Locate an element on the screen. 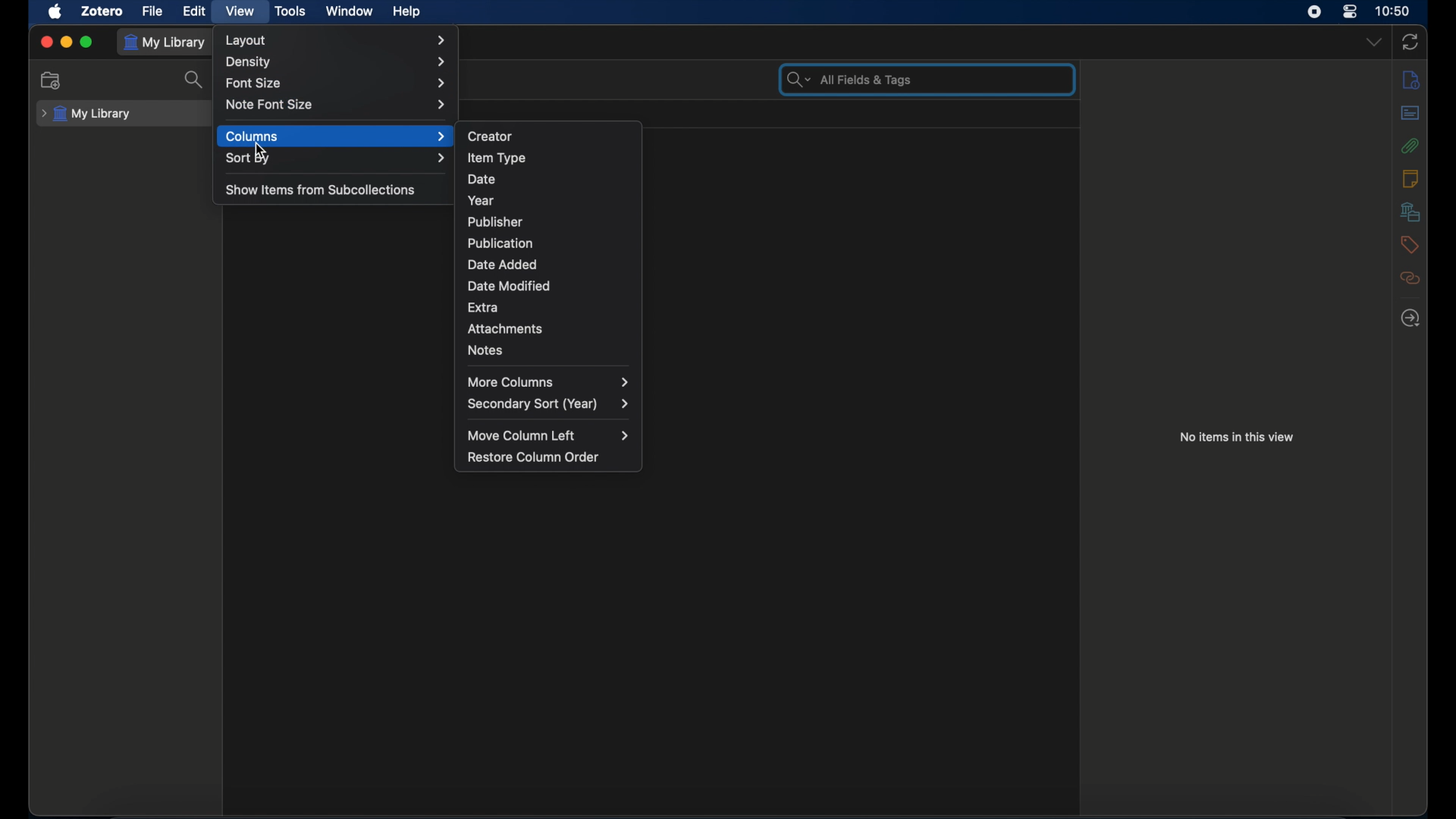 Image resolution: width=1456 pixels, height=819 pixels. attachments is located at coordinates (1410, 146).